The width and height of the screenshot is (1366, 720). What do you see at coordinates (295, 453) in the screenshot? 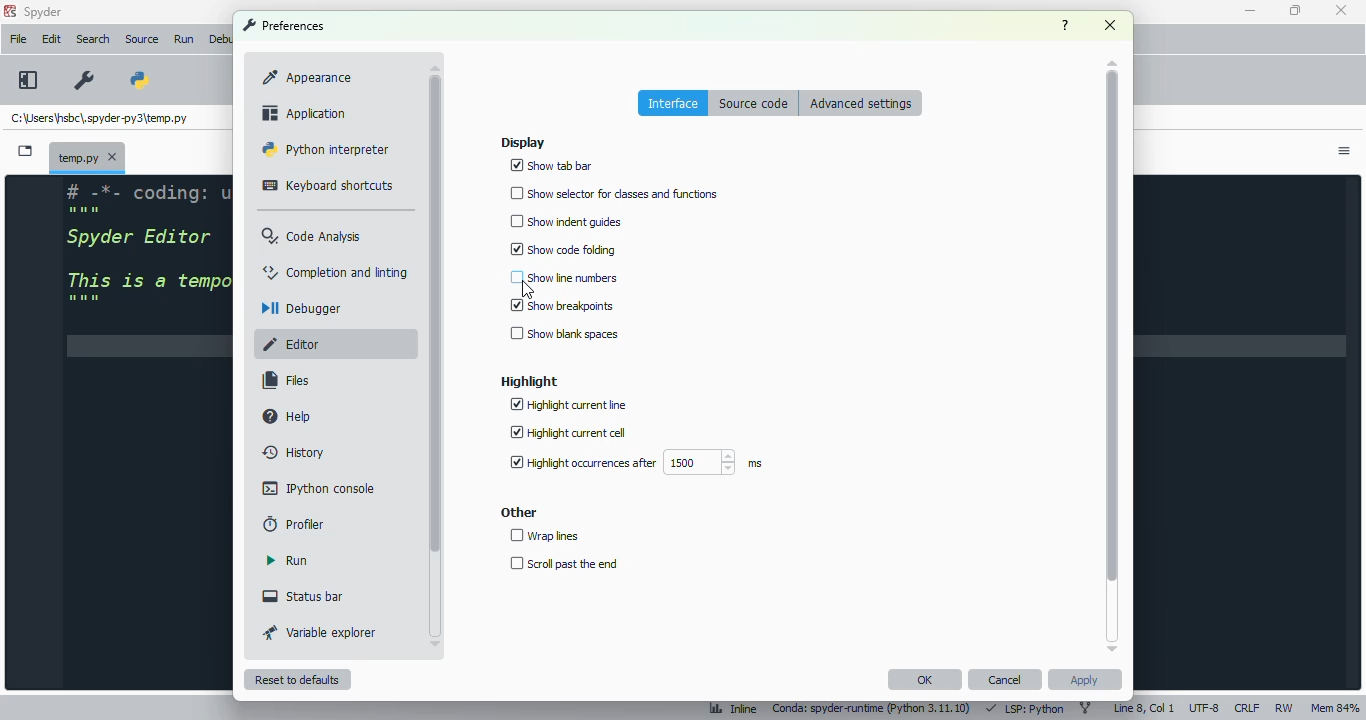
I see `history` at bounding box center [295, 453].